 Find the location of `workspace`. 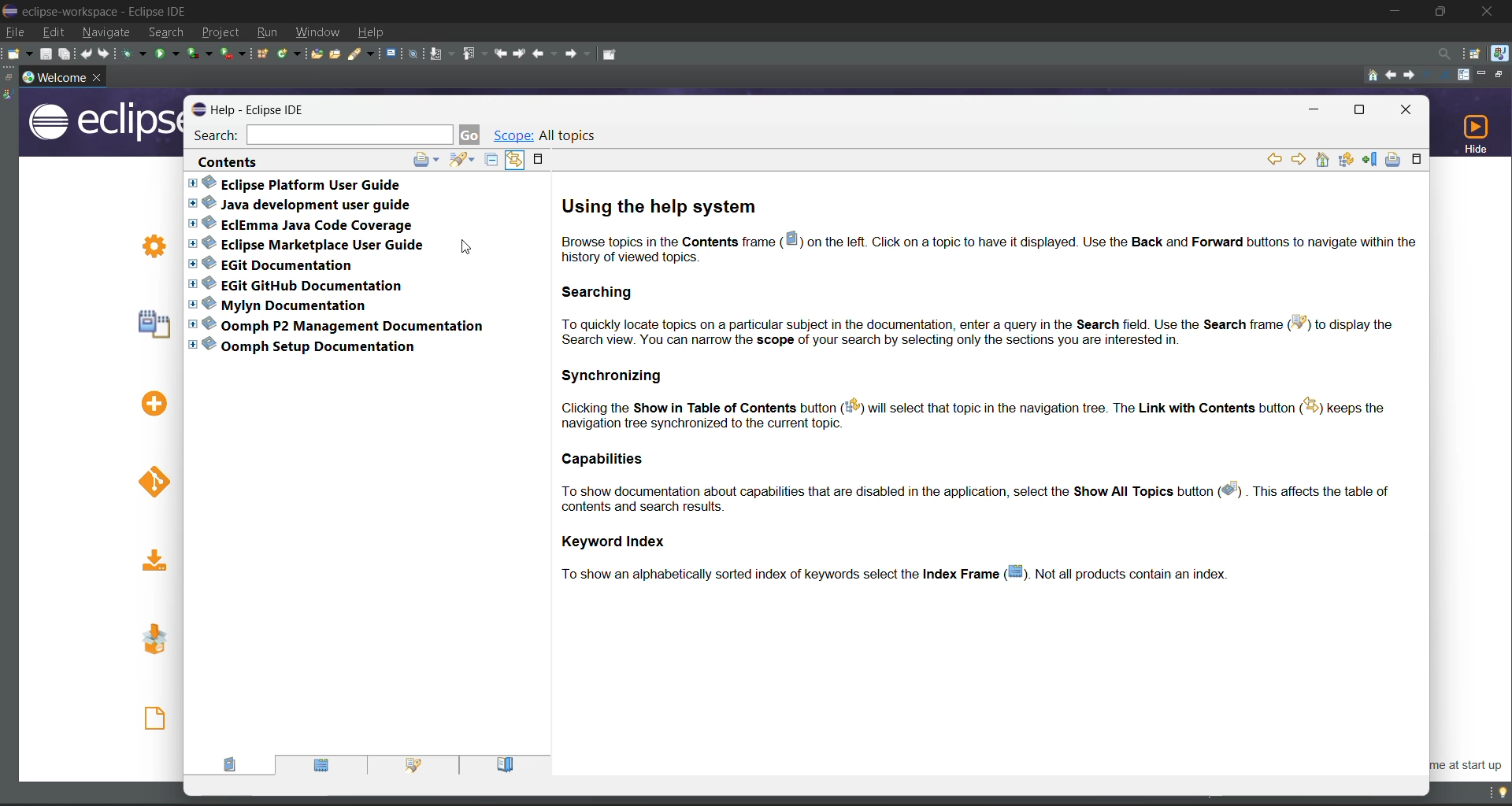

workspace is located at coordinates (63, 78).